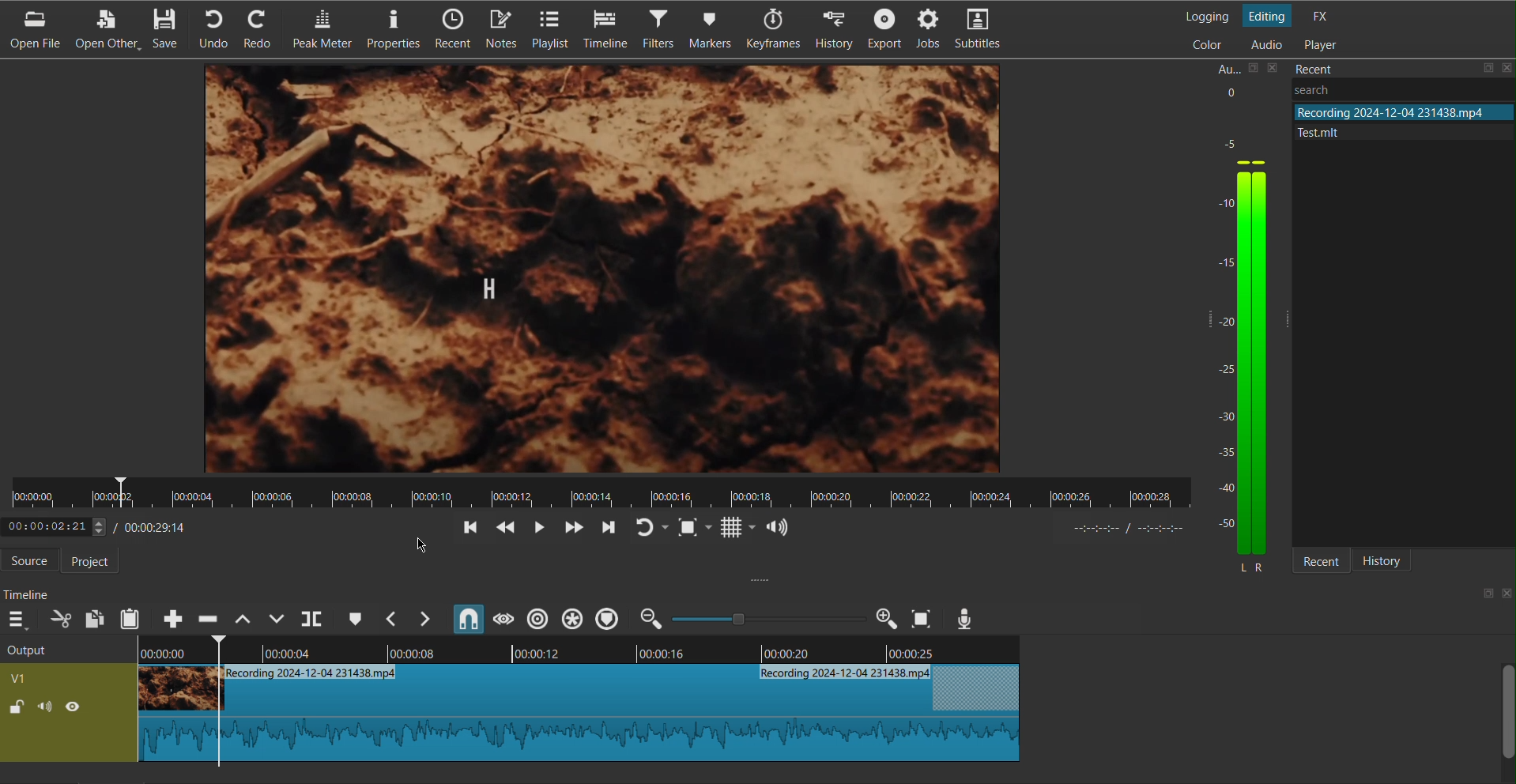 This screenshot has height=784, width=1516. Describe the element at coordinates (836, 32) in the screenshot. I see `History` at that location.